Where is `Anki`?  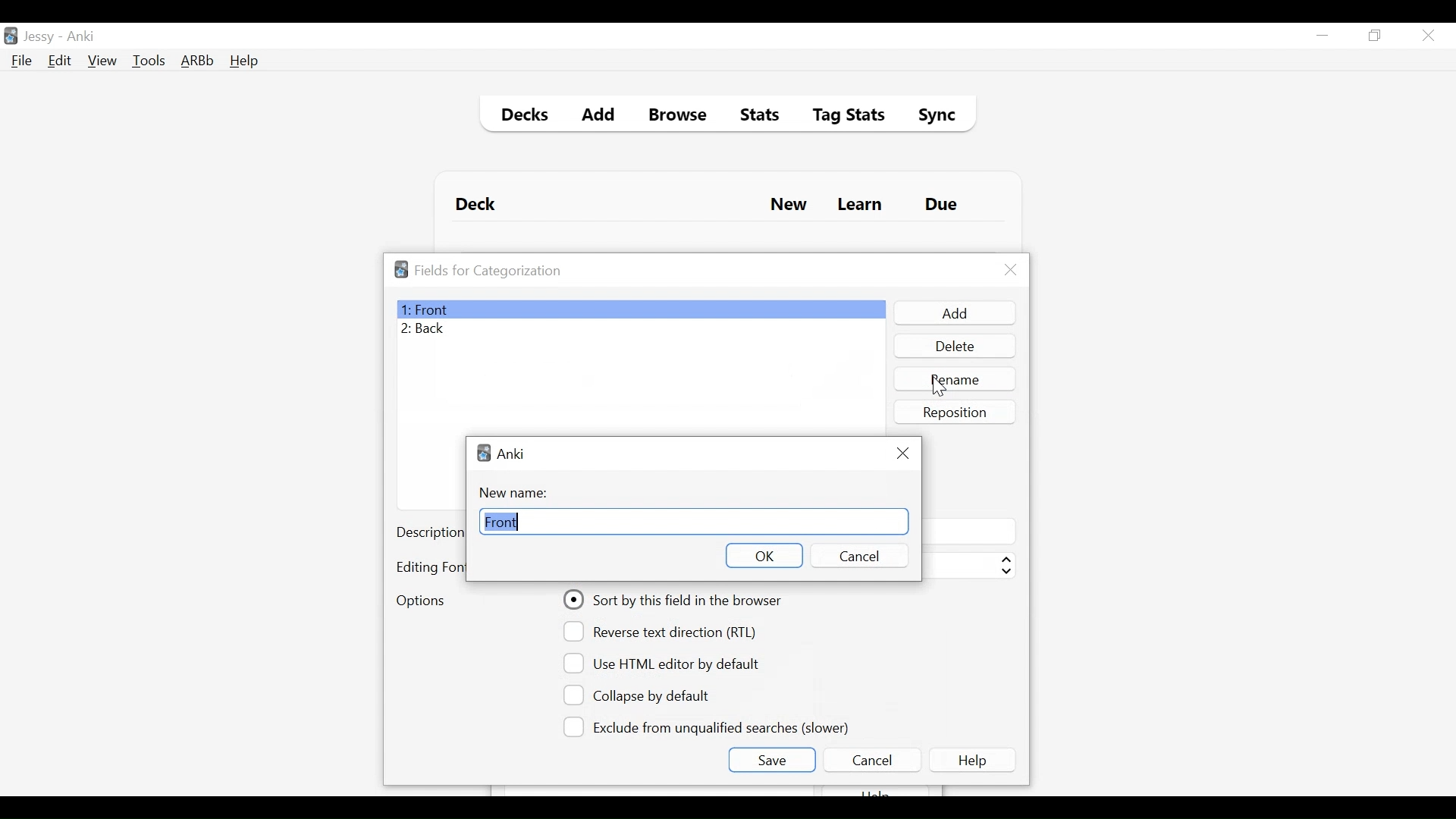
Anki is located at coordinates (512, 453).